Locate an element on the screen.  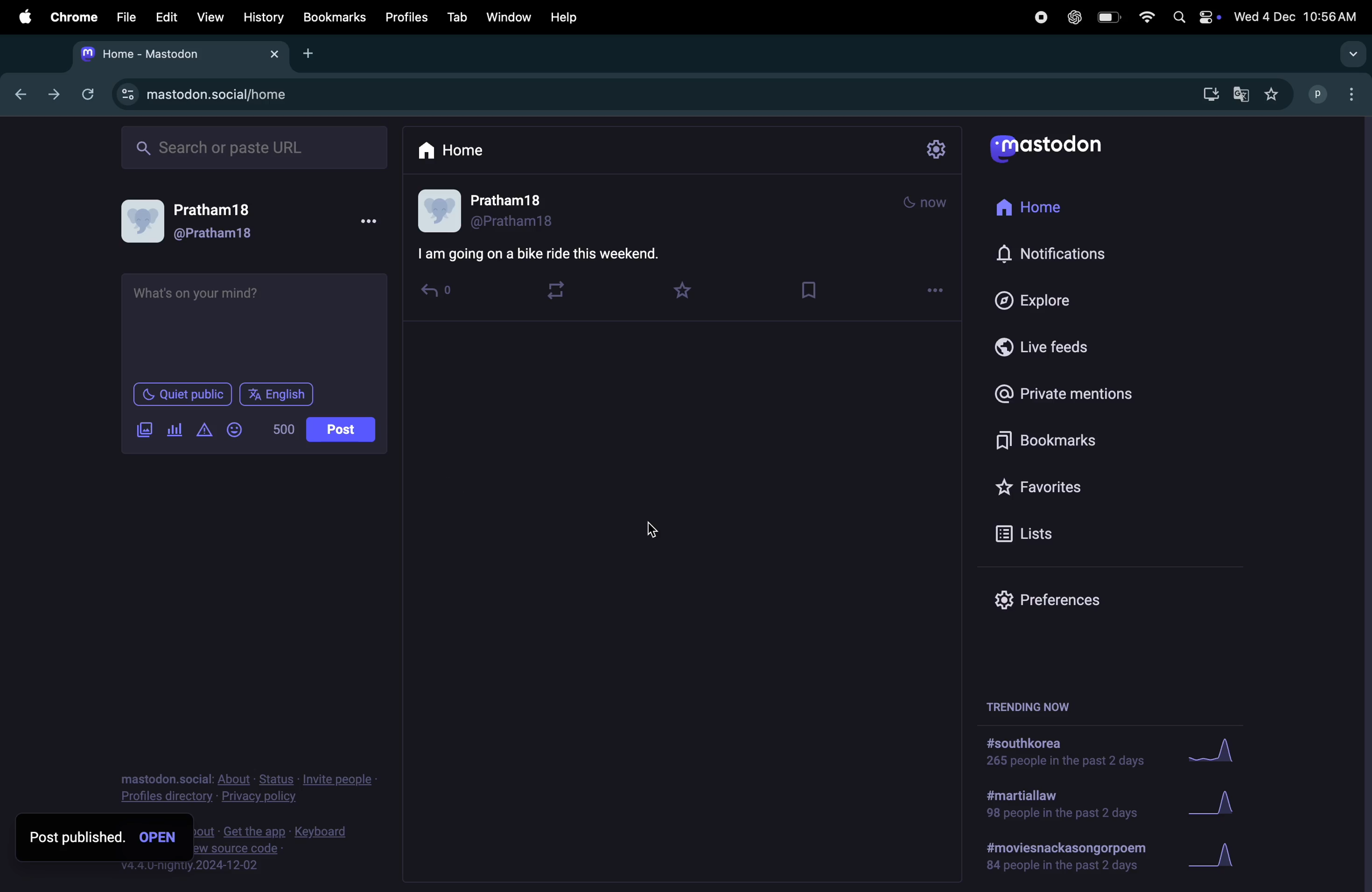
Graph is located at coordinates (1222, 750).